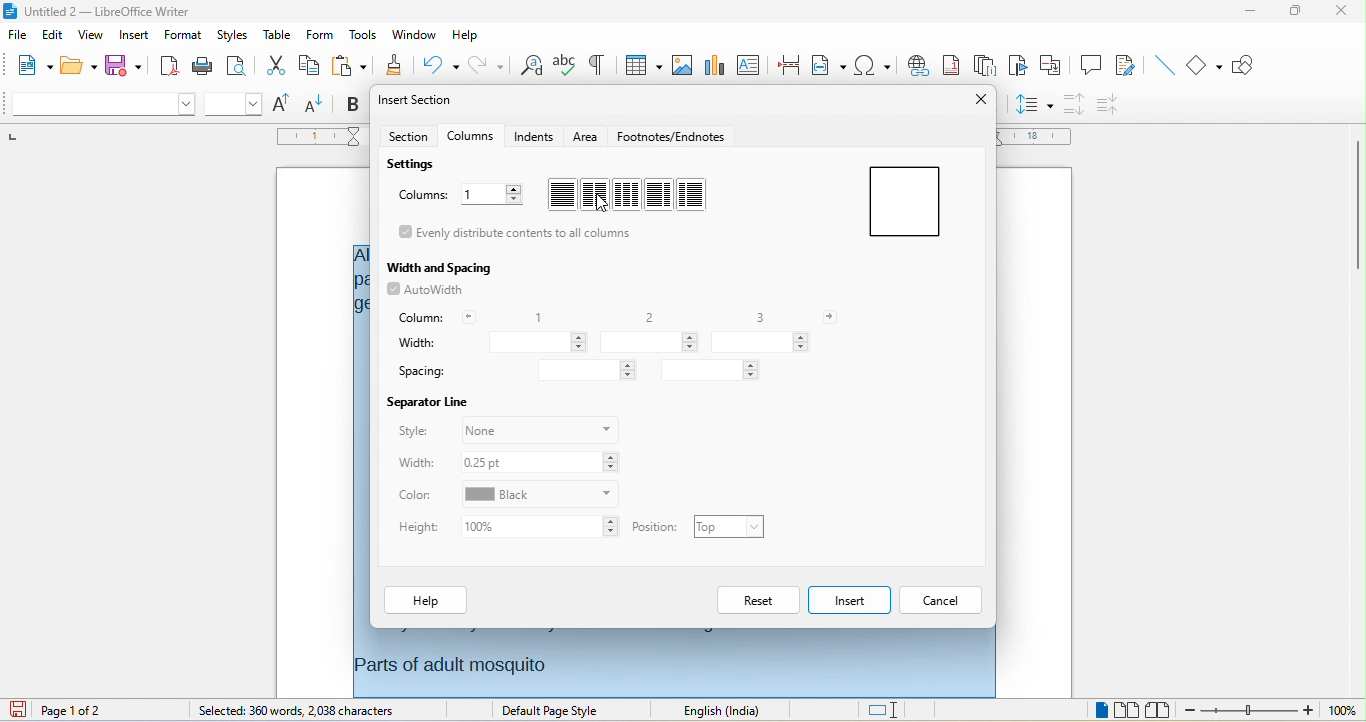  I want to click on undo, so click(436, 65).